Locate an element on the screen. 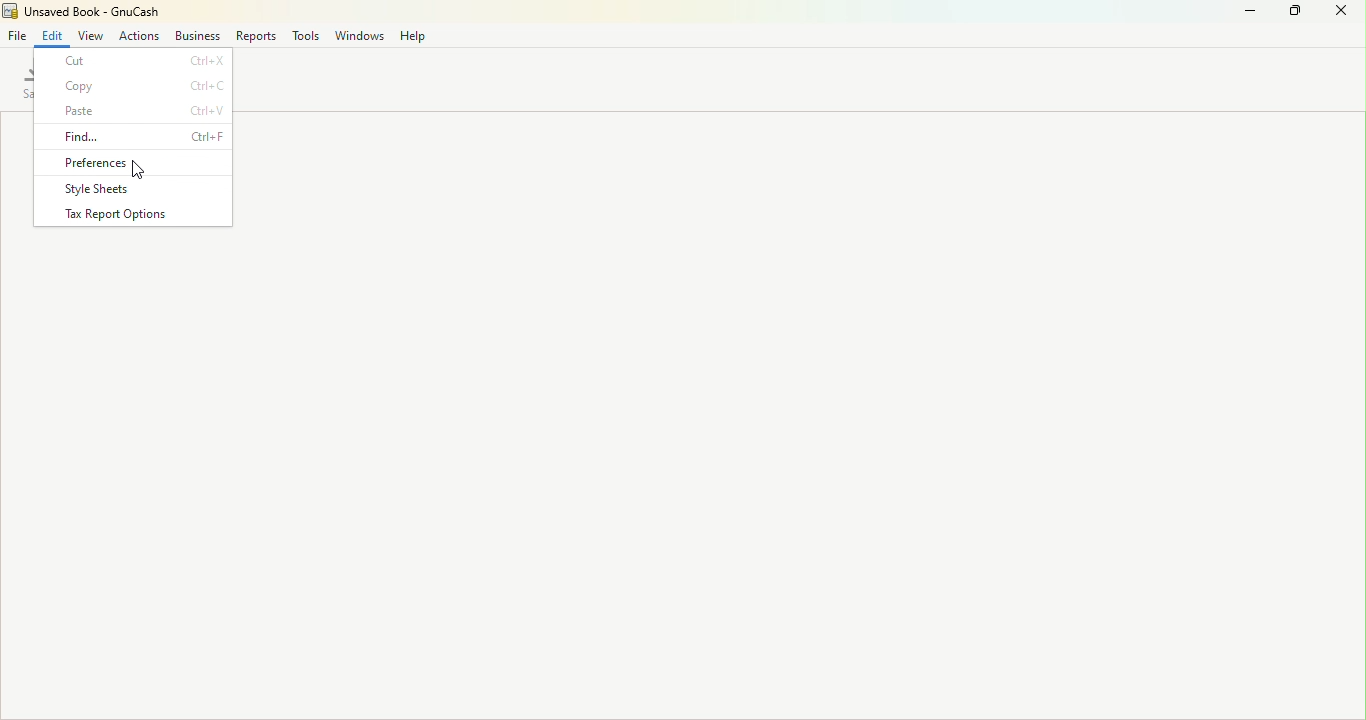 This screenshot has width=1366, height=720. Reports is located at coordinates (258, 37).